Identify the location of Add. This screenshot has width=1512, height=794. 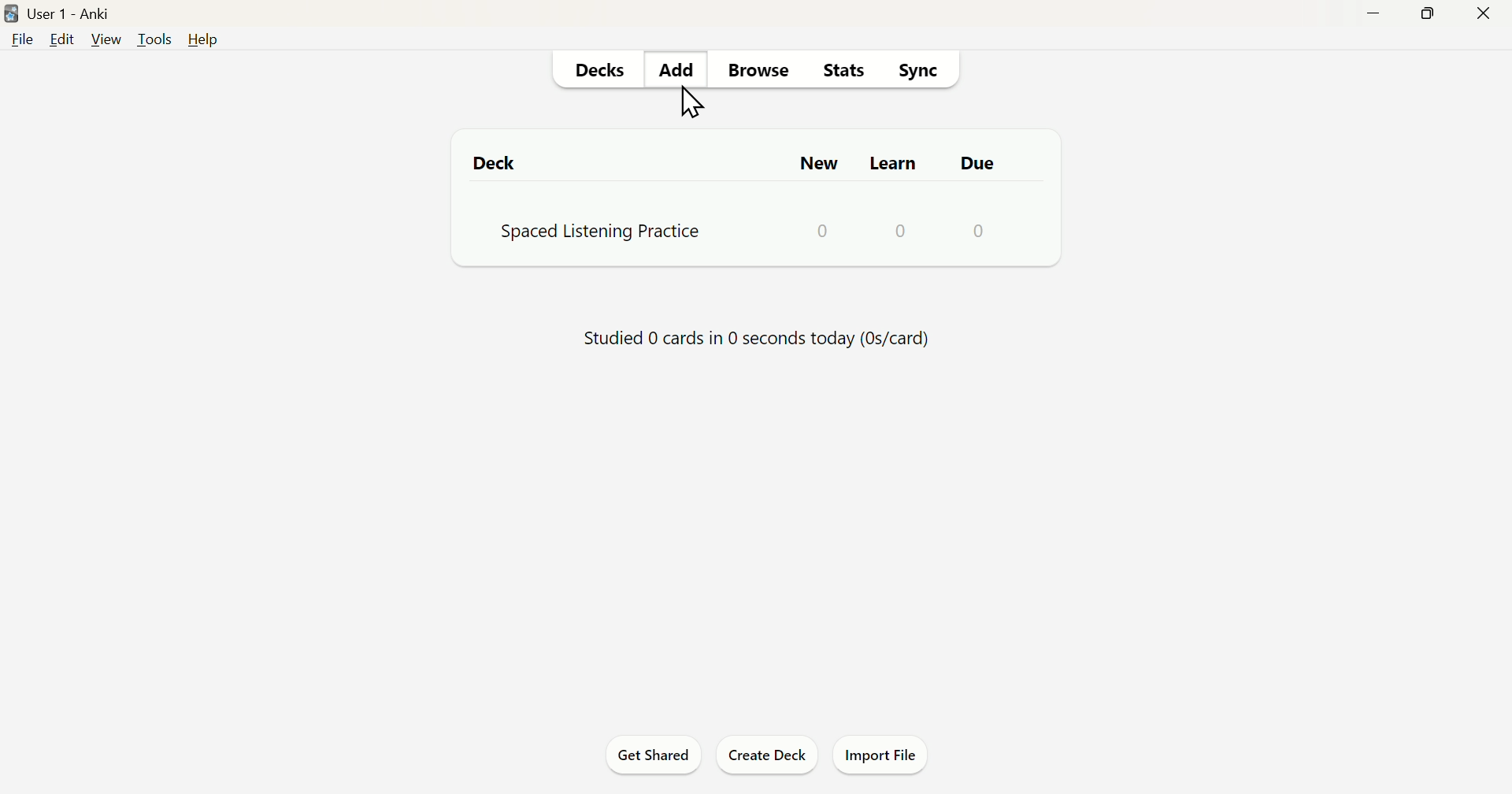
(680, 67).